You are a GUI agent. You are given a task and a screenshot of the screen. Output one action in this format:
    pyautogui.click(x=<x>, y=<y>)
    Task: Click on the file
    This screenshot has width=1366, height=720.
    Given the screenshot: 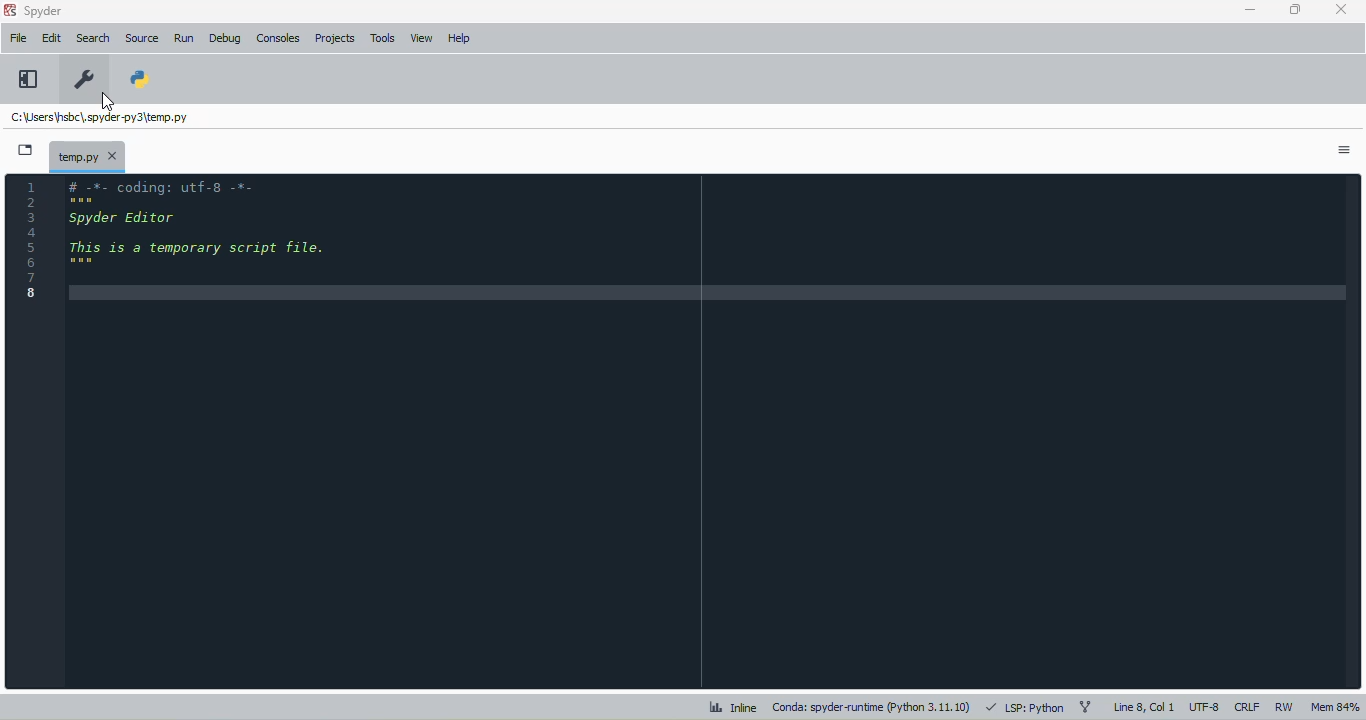 What is the action you would take?
    pyautogui.click(x=18, y=38)
    